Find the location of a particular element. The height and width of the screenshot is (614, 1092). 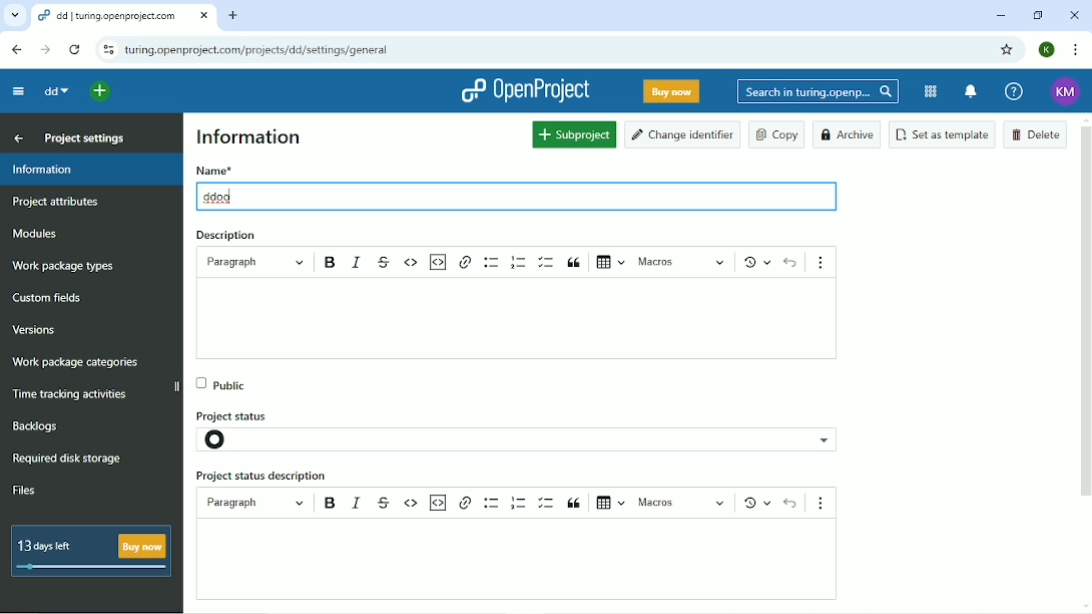

Show local modifications is located at coordinates (752, 262).